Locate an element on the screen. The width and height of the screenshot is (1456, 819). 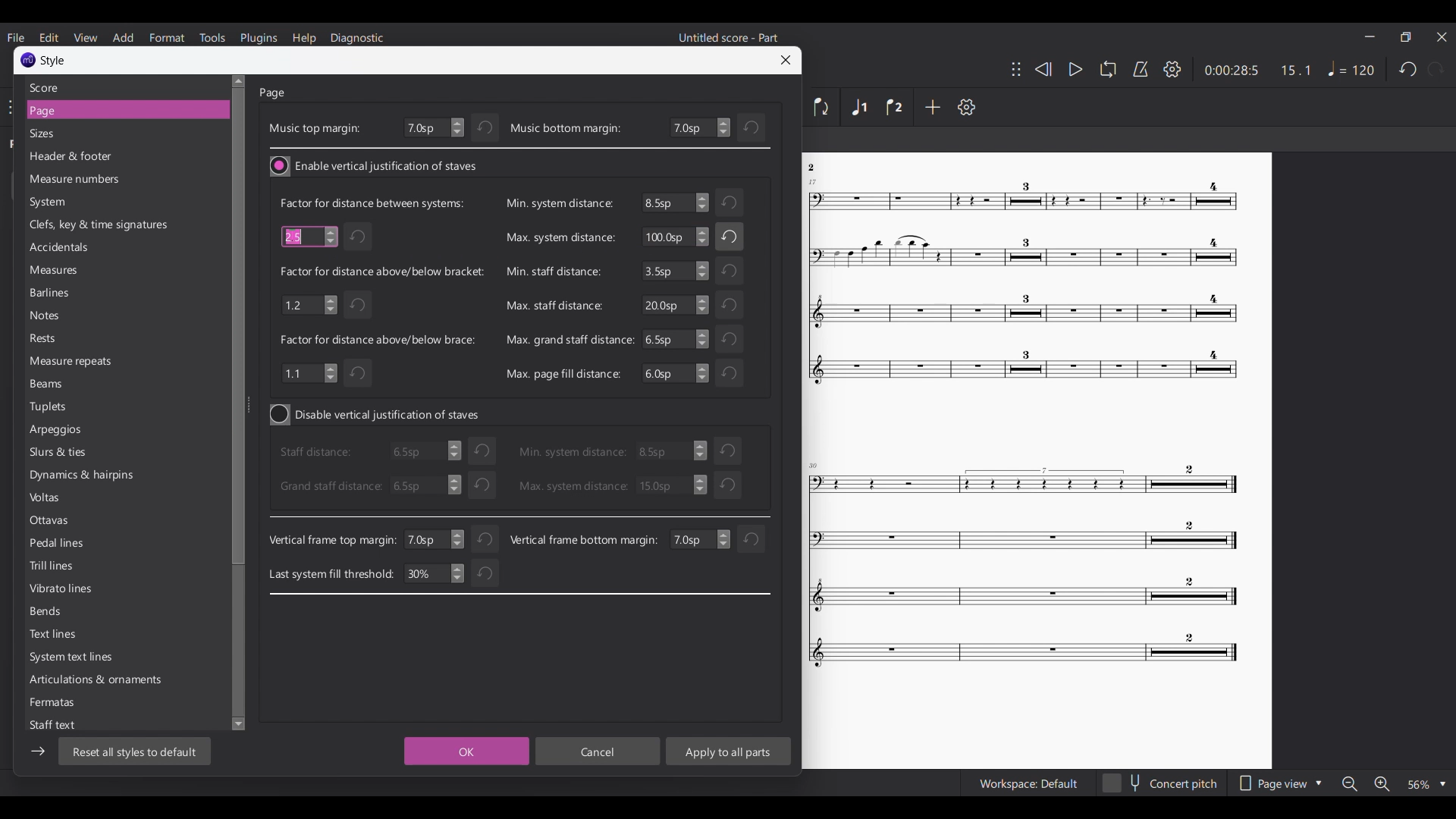
Articulations & ornaments is located at coordinates (94, 681).